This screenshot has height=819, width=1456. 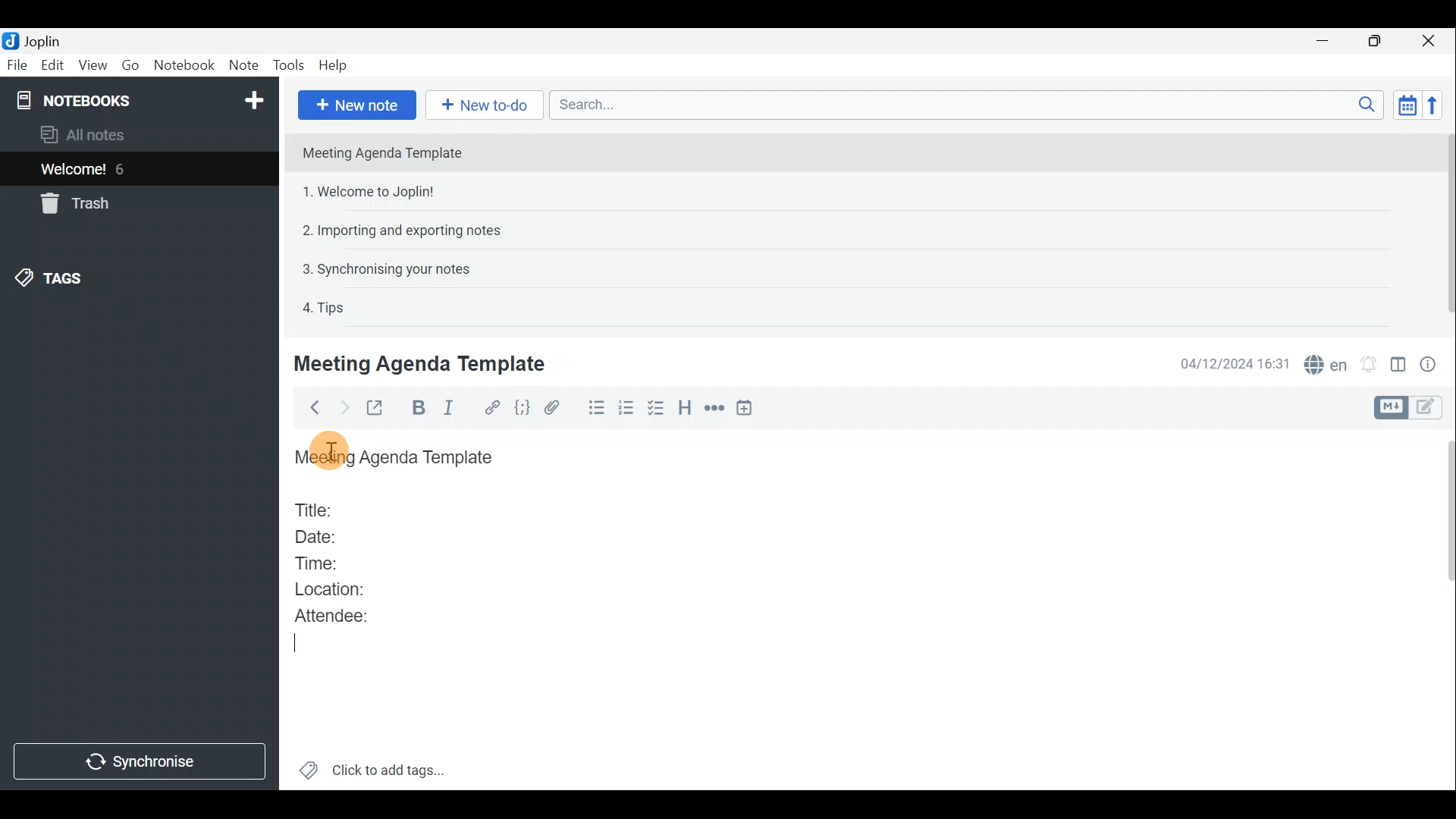 What do you see at coordinates (1376, 42) in the screenshot?
I see `Maximise` at bounding box center [1376, 42].